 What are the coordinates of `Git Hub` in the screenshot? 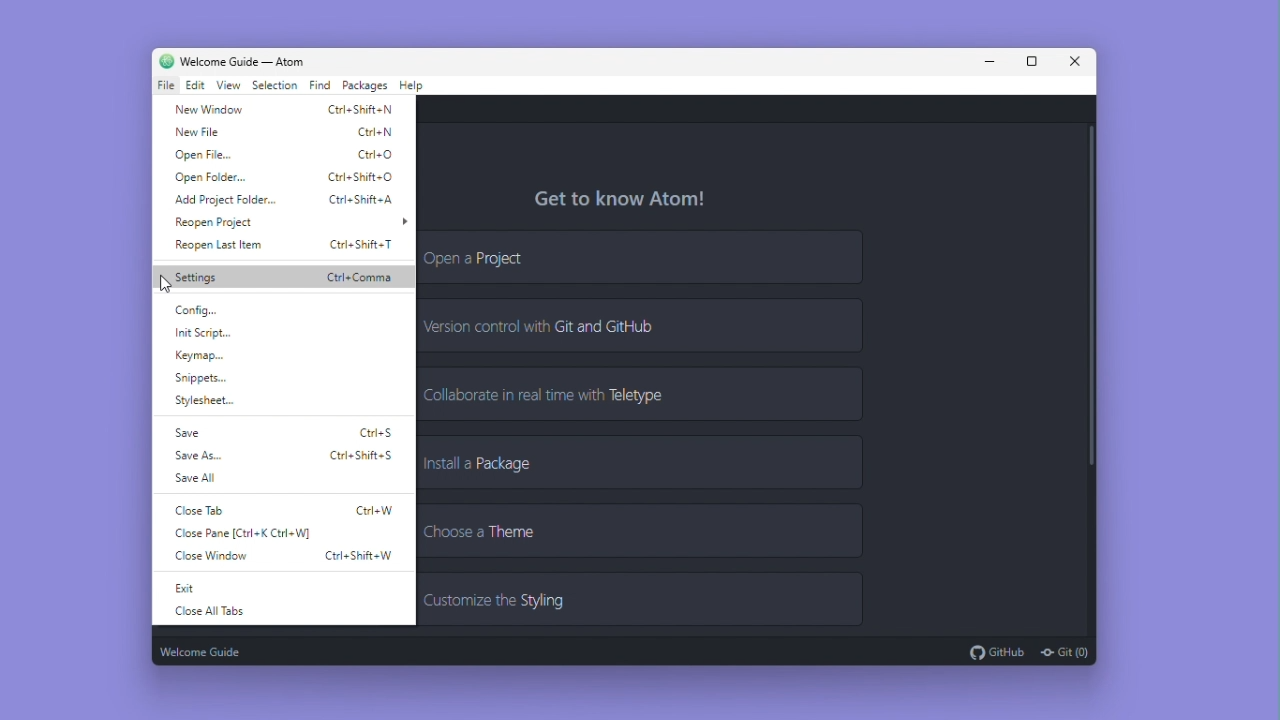 It's located at (996, 651).